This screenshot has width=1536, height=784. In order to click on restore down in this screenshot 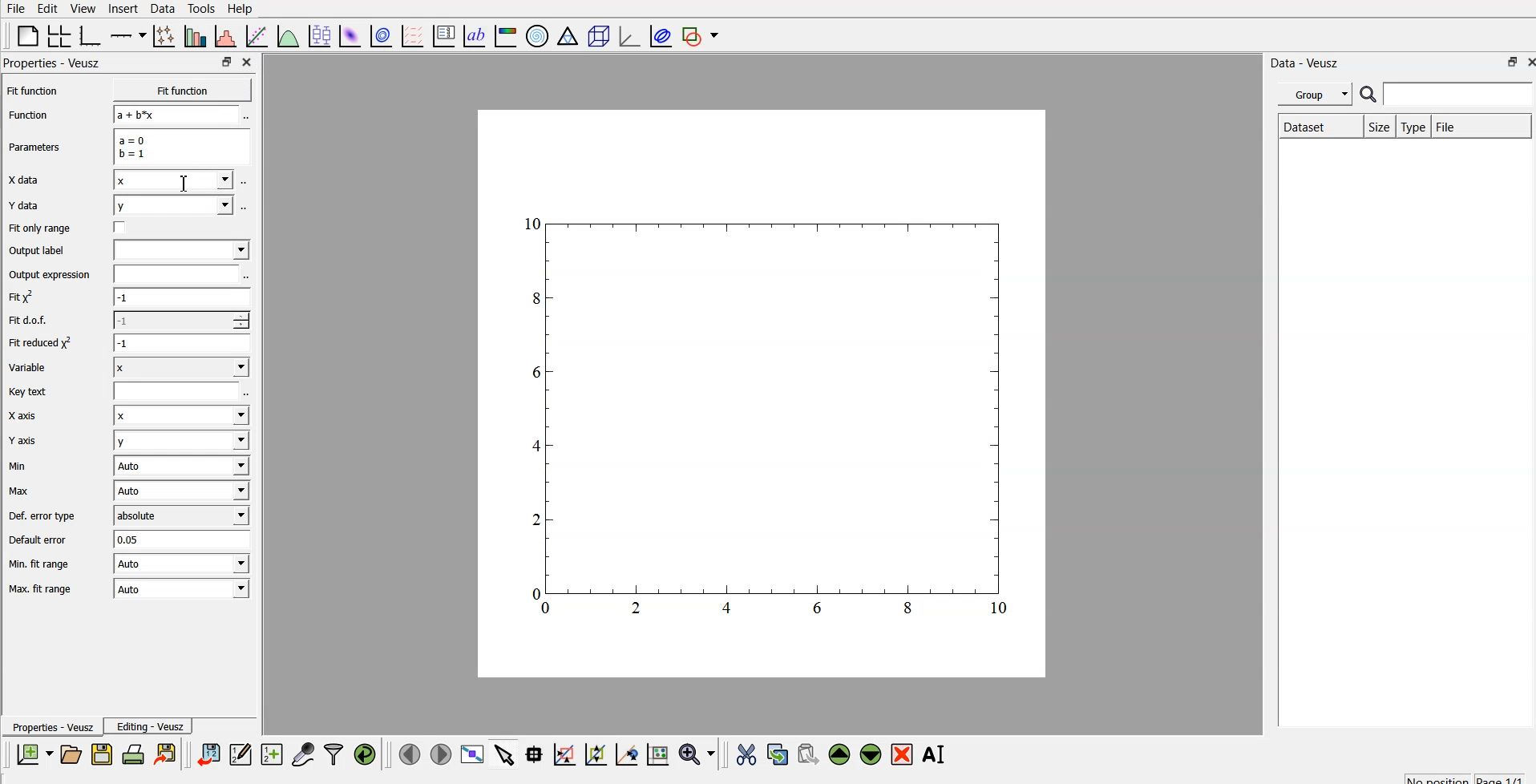, I will do `click(224, 63)`.